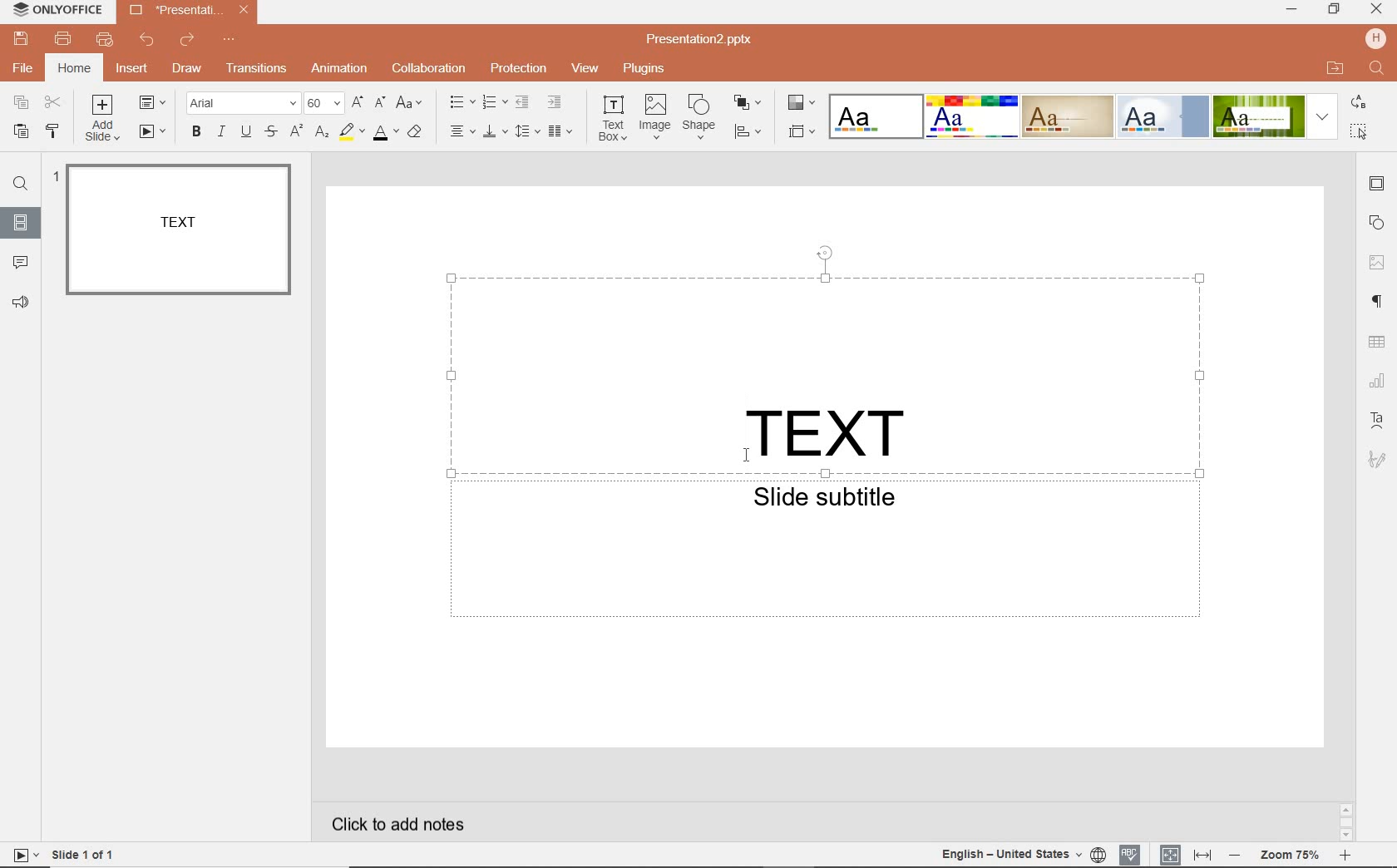  Describe the element at coordinates (193, 134) in the screenshot. I see `BOLD` at that location.